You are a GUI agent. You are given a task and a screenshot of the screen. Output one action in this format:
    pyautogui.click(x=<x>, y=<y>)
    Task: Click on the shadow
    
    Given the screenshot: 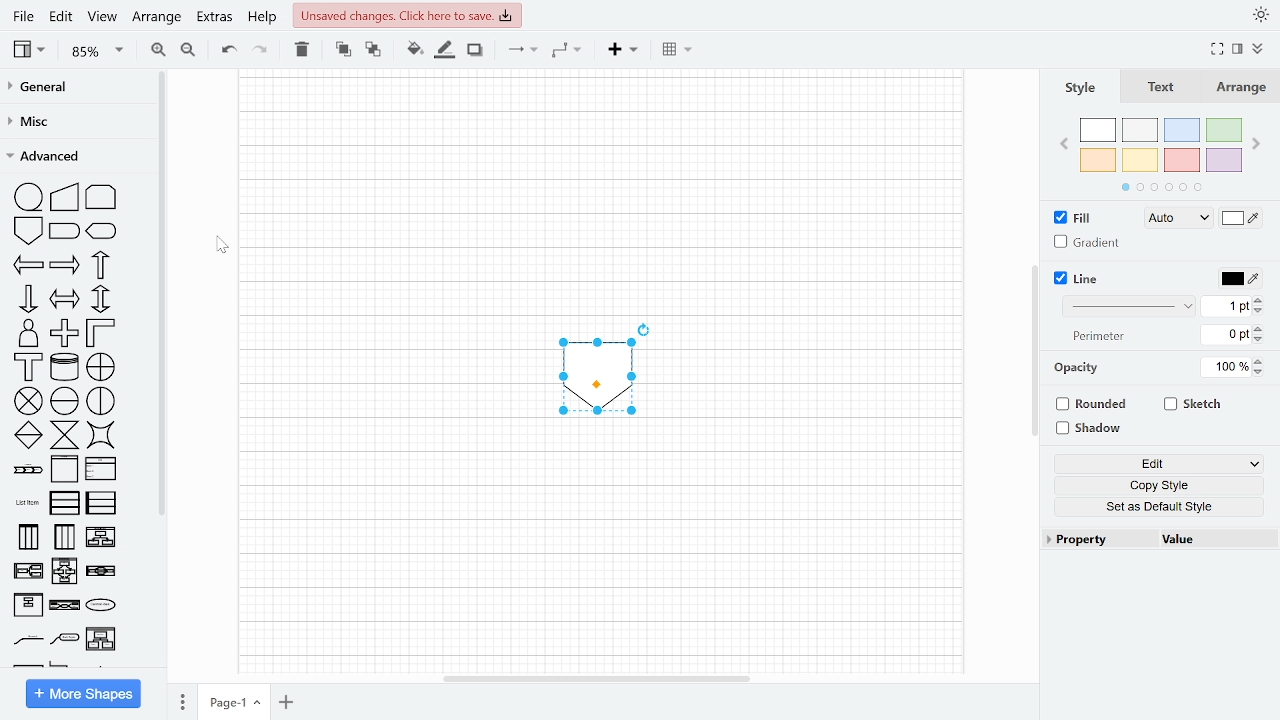 What is the action you would take?
    pyautogui.click(x=1090, y=429)
    